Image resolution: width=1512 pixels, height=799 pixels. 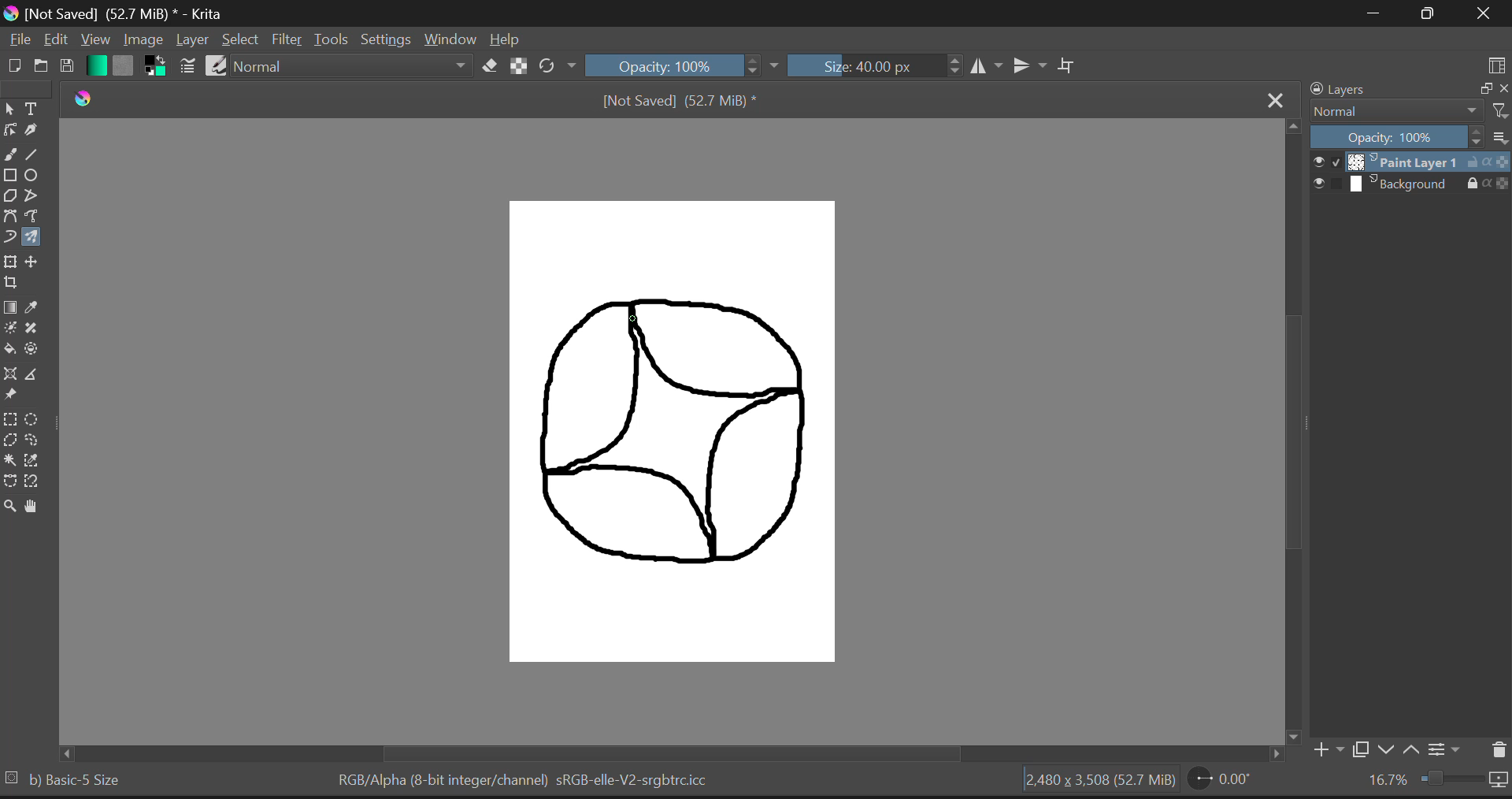 What do you see at coordinates (9, 396) in the screenshot?
I see `Reference Images` at bounding box center [9, 396].